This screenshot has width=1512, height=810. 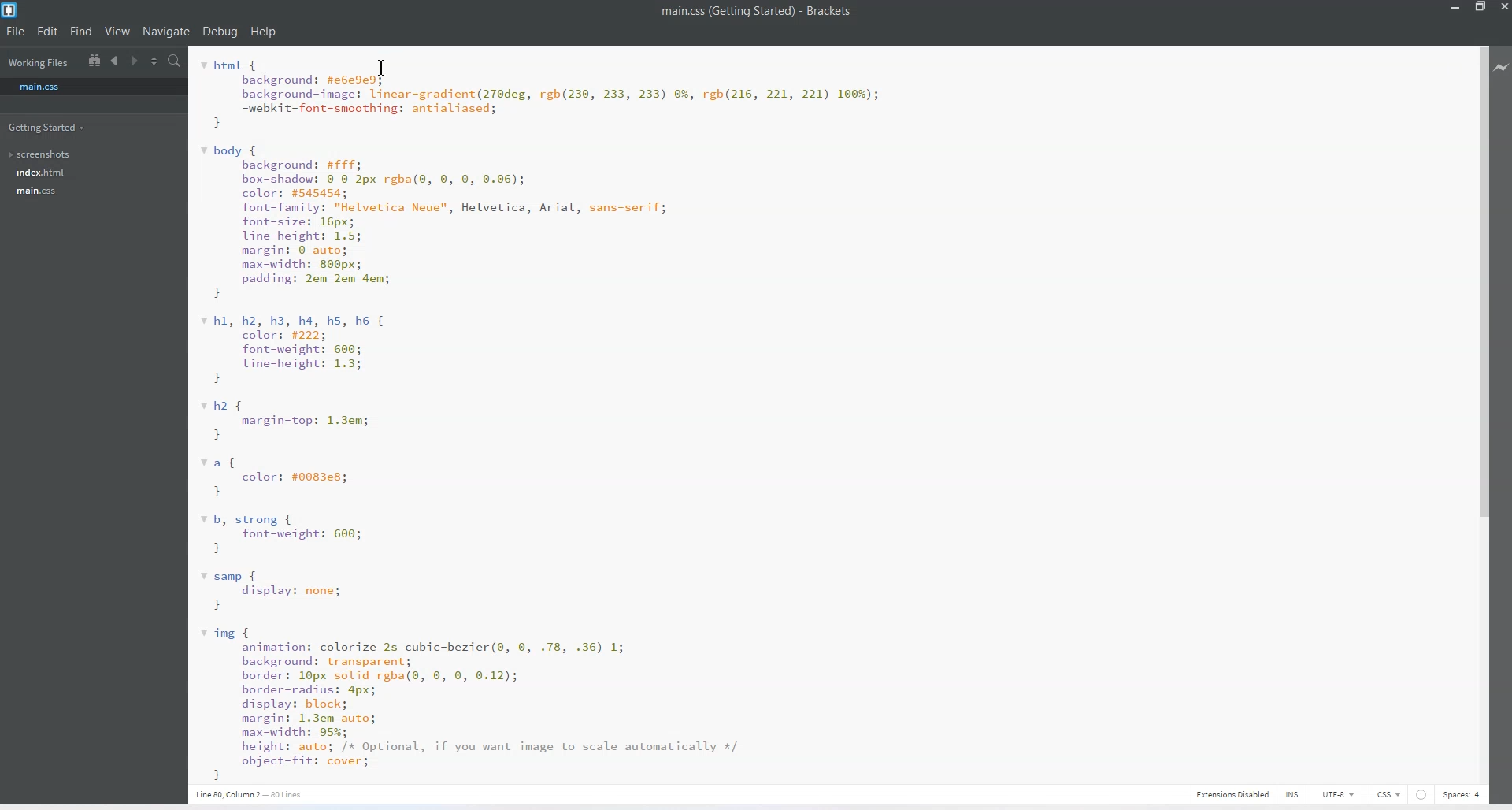 I want to click on index.html, so click(x=40, y=173).